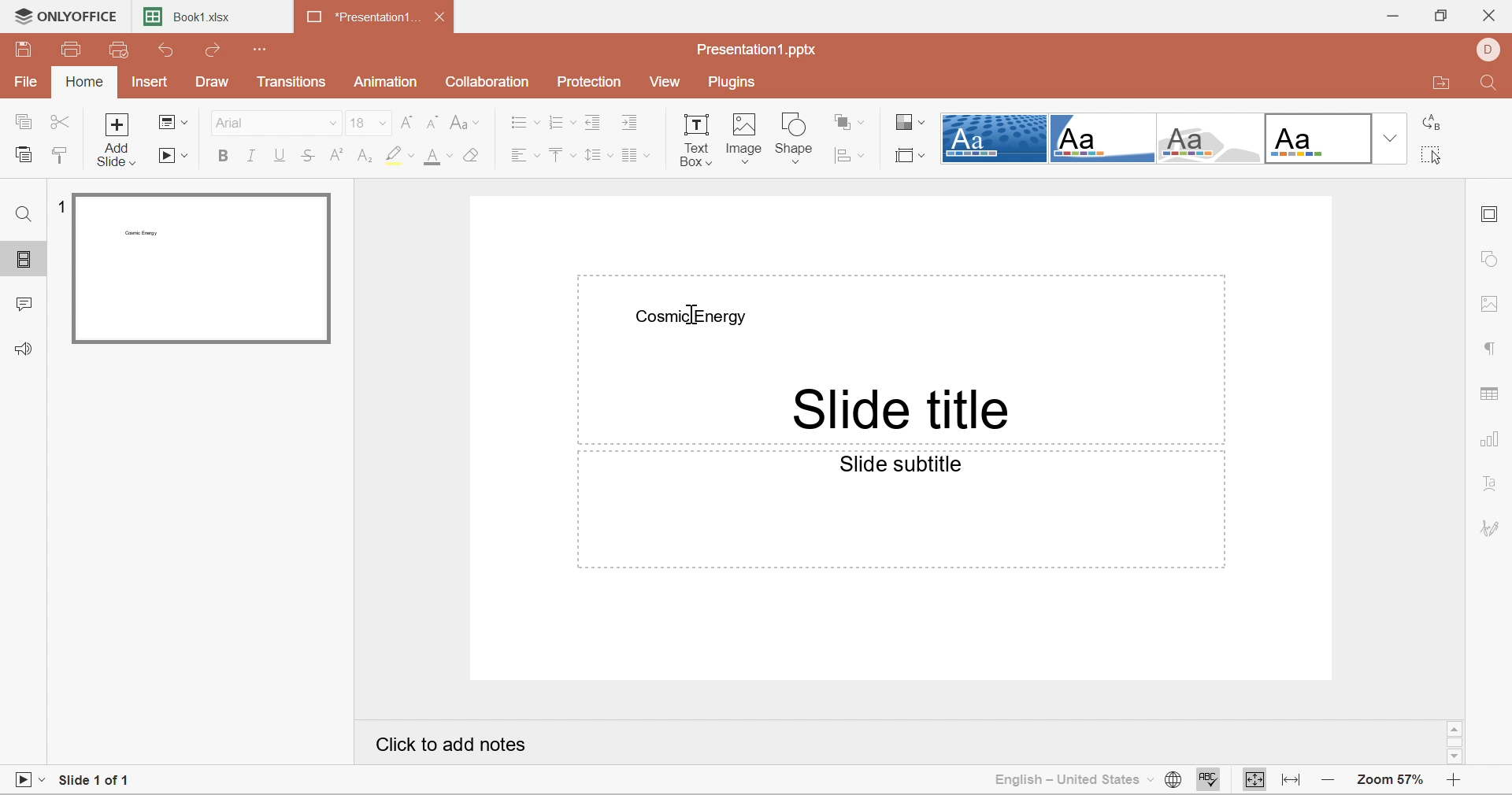  I want to click on Signature settings, so click(1494, 527).